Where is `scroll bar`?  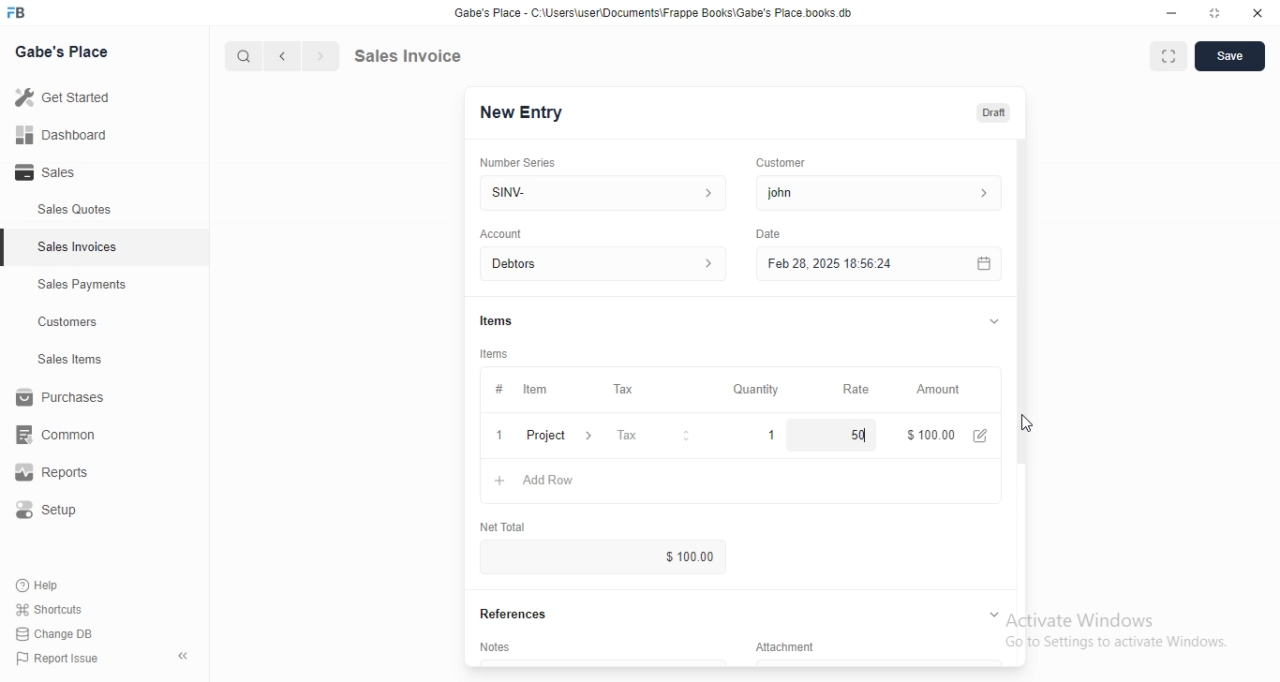
scroll bar is located at coordinates (1021, 321).